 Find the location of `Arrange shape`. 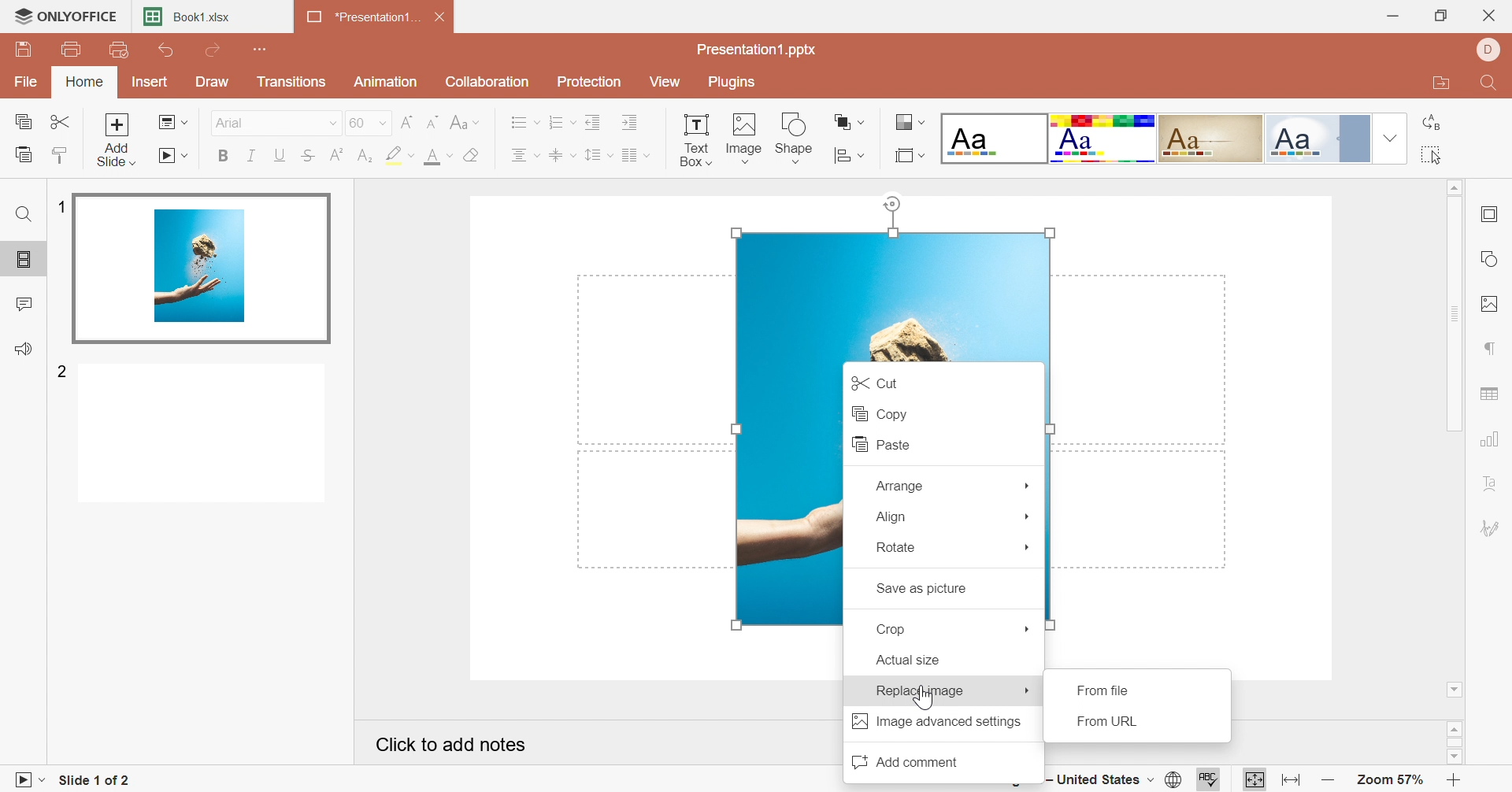

Arrange shape is located at coordinates (850, 152).